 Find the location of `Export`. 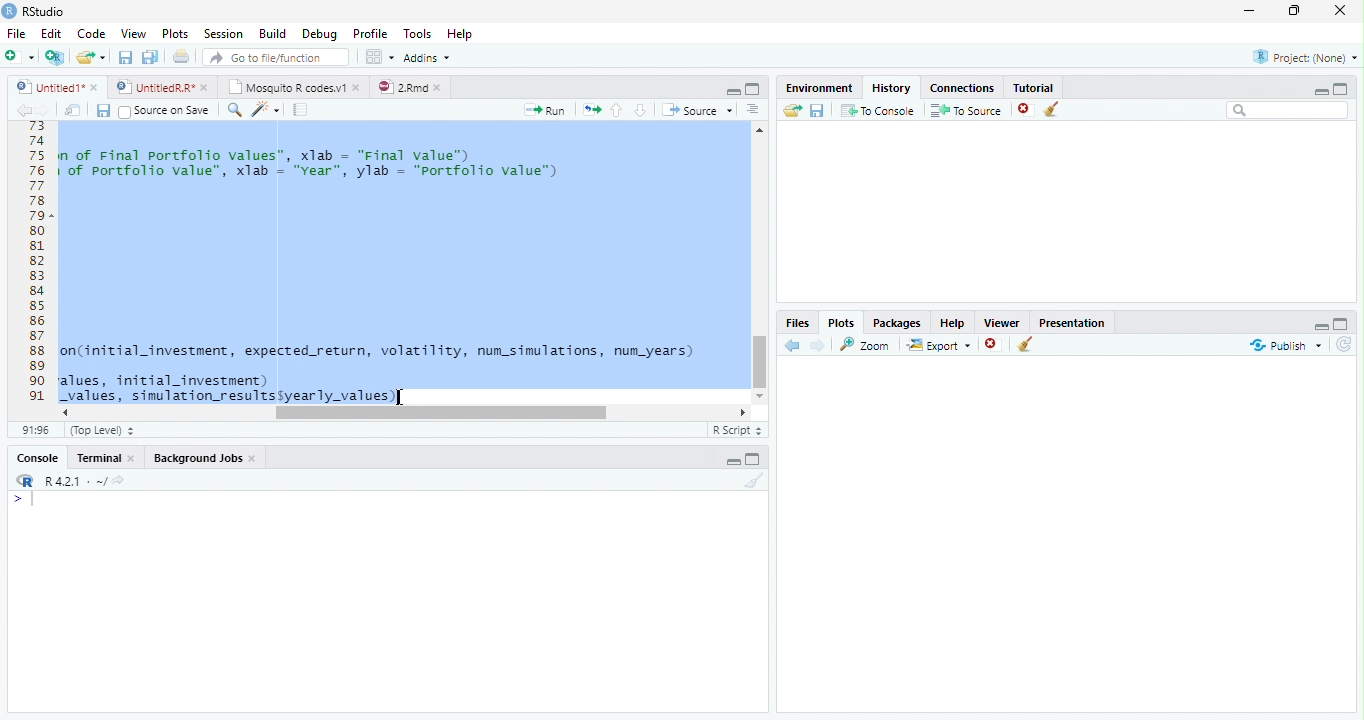

Export is located at coordinates (937, 345).